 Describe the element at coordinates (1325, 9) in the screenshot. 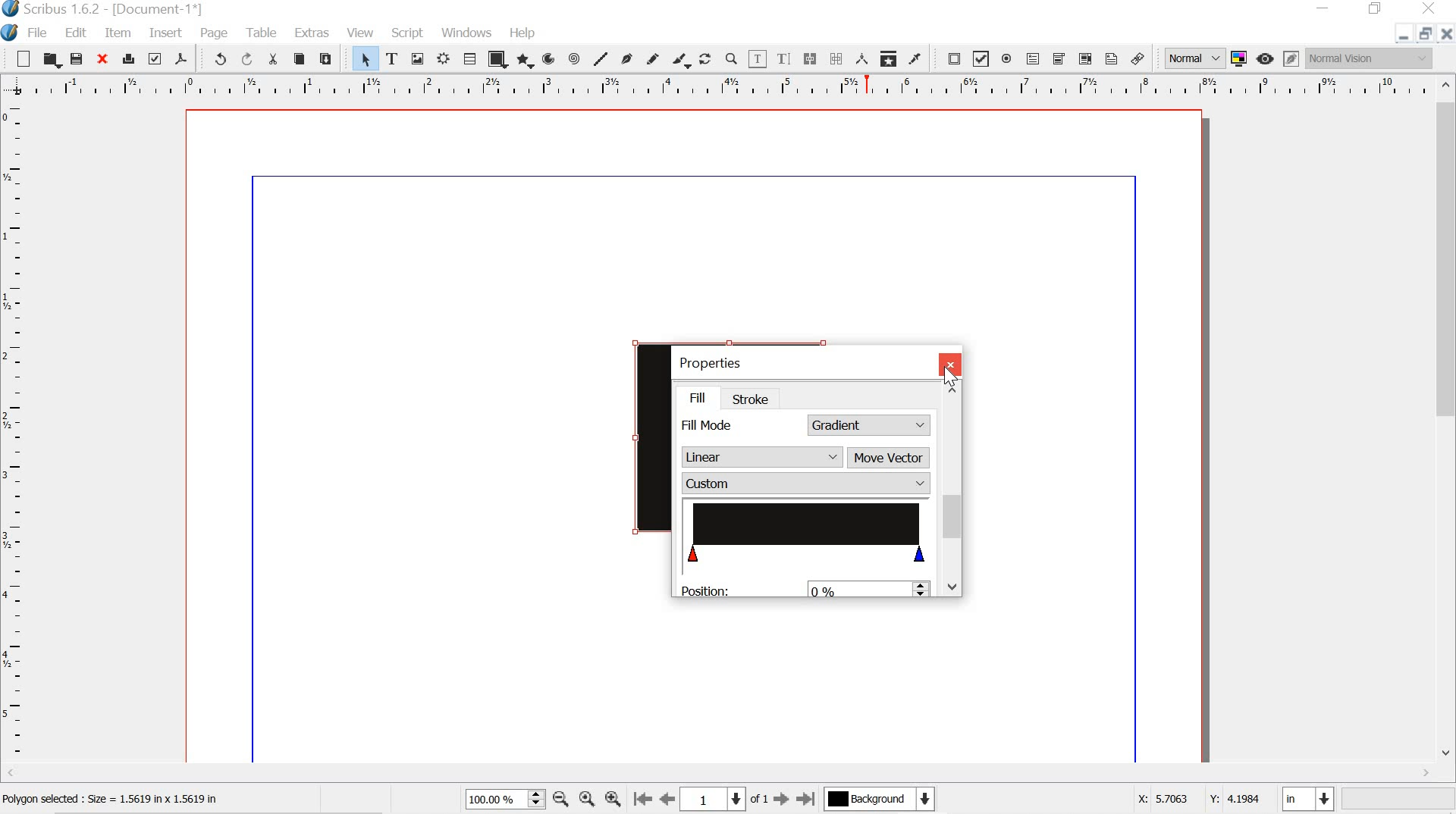

I see `minimize` at that location.